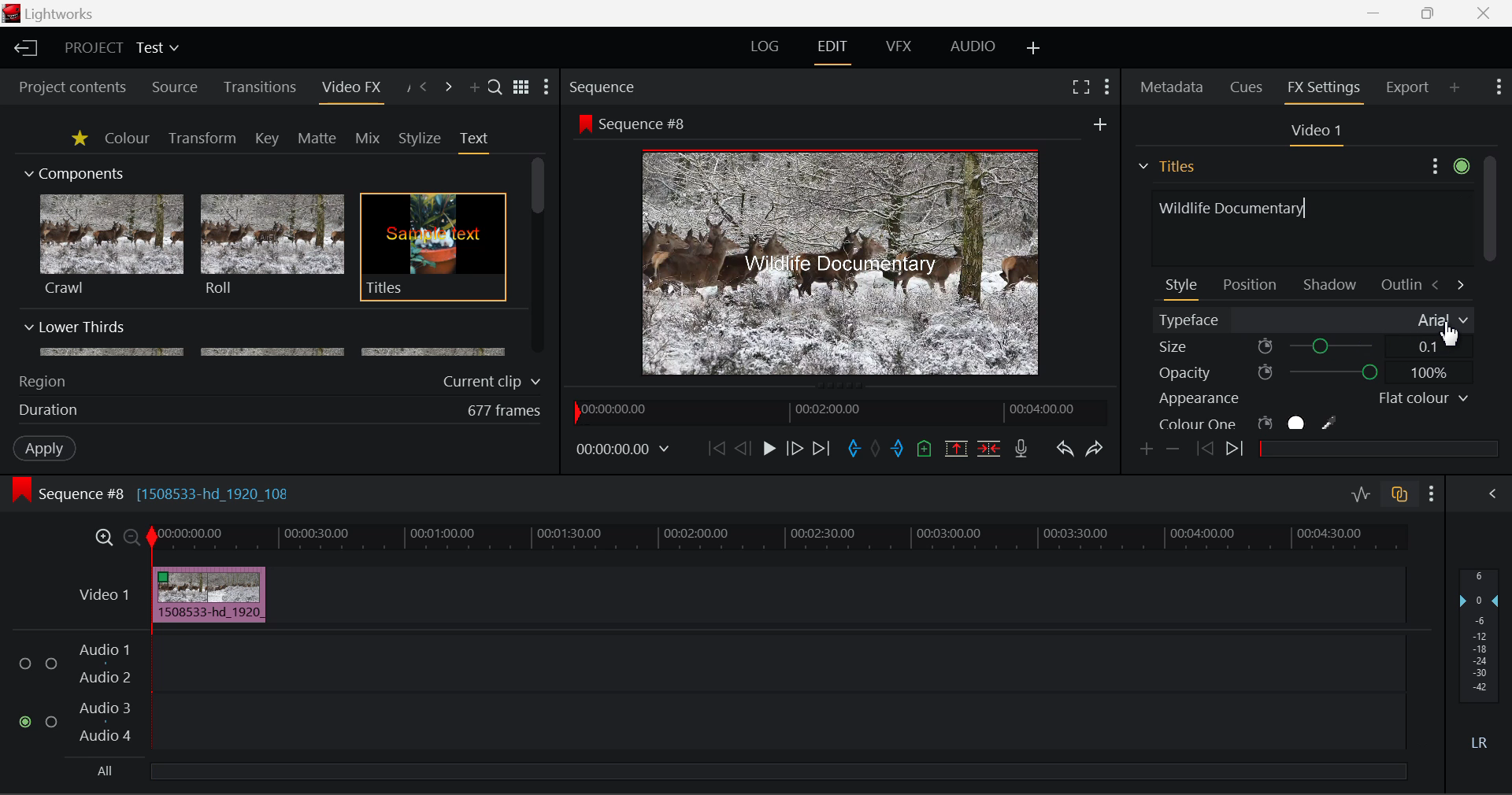 The width and height of the screenshot is (1512, 795). I want to click on EDIT Layout Open, so click(836, 52).